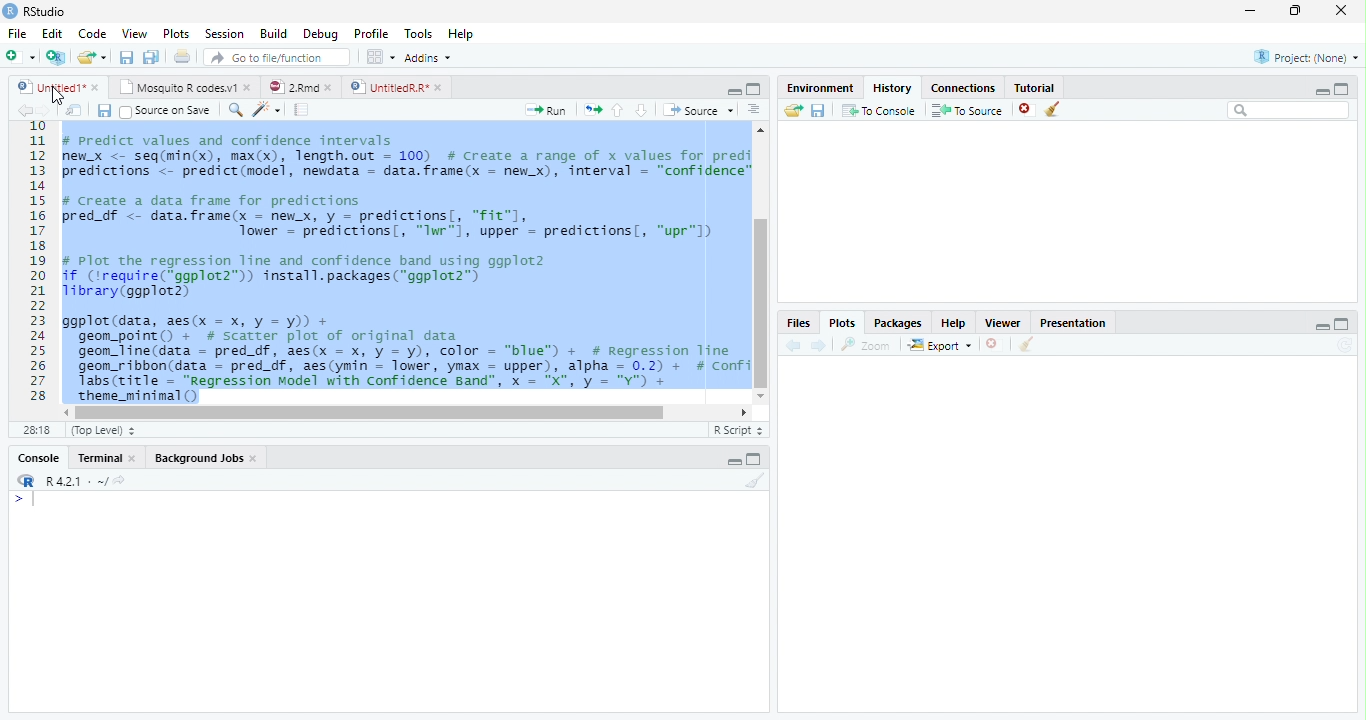  Describe the element at coordinates (820, 88) in the screenshot. I see `Environment` at that location.